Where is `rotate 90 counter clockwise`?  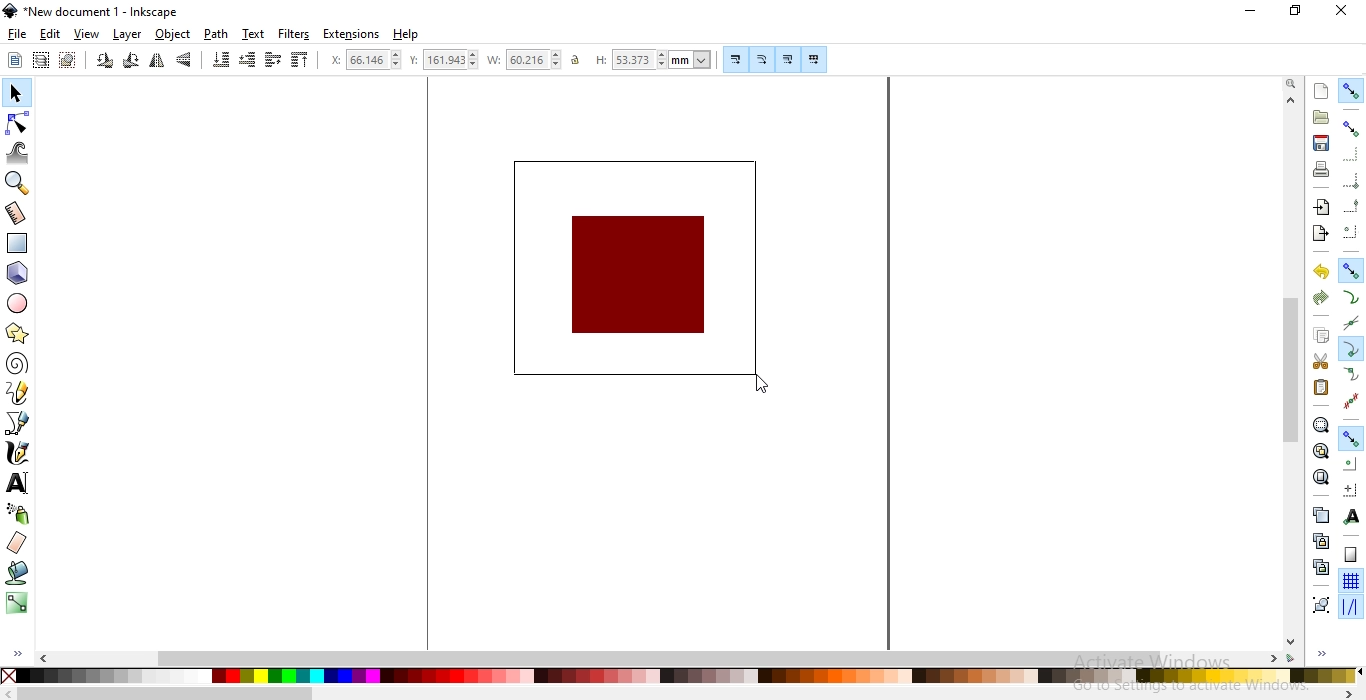
rotate 90 counter clockwise is located at coordinates (103, 62).